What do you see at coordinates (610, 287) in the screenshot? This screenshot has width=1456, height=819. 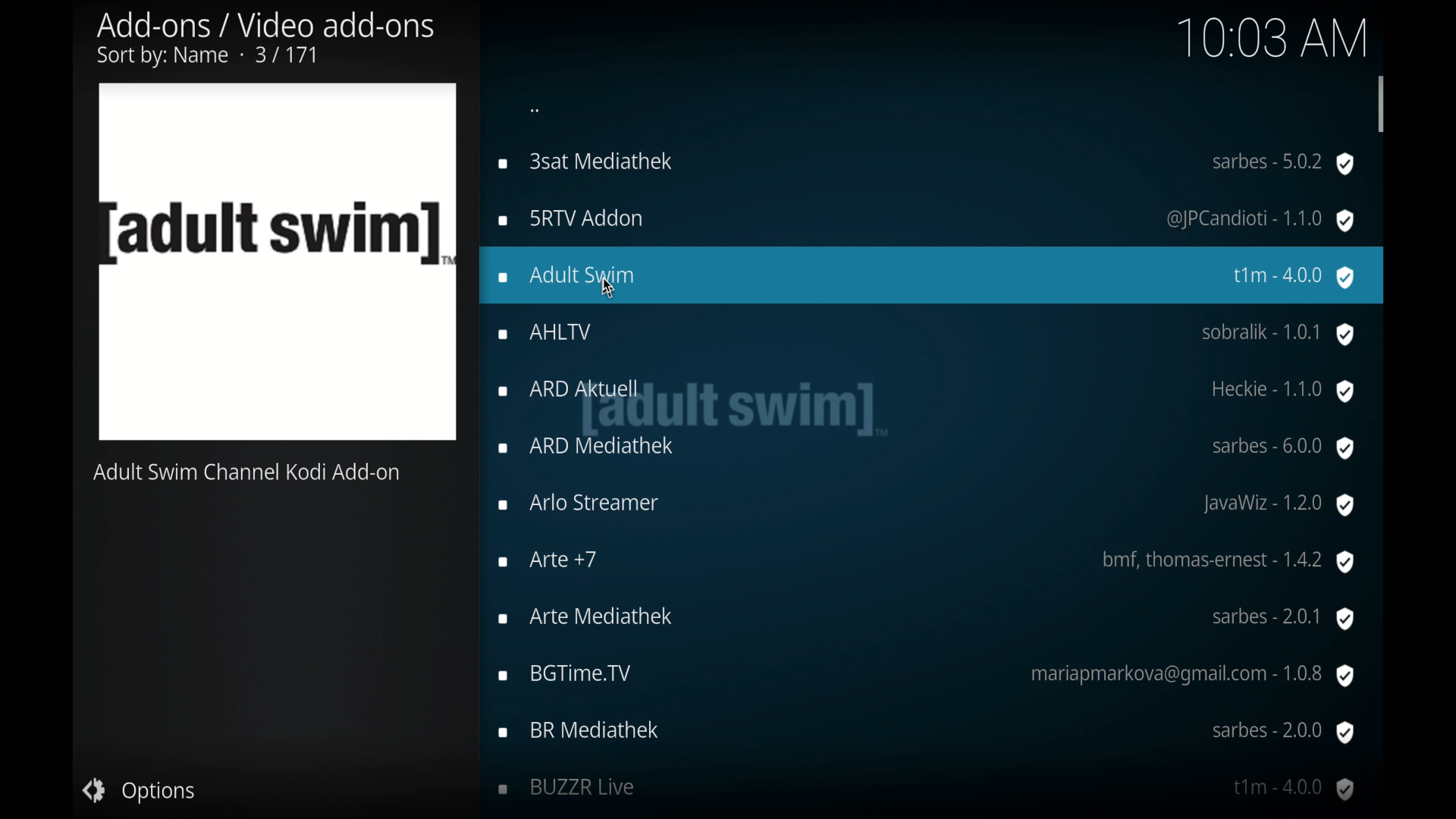 I see `Curosr` at bounding box center [610, 287].